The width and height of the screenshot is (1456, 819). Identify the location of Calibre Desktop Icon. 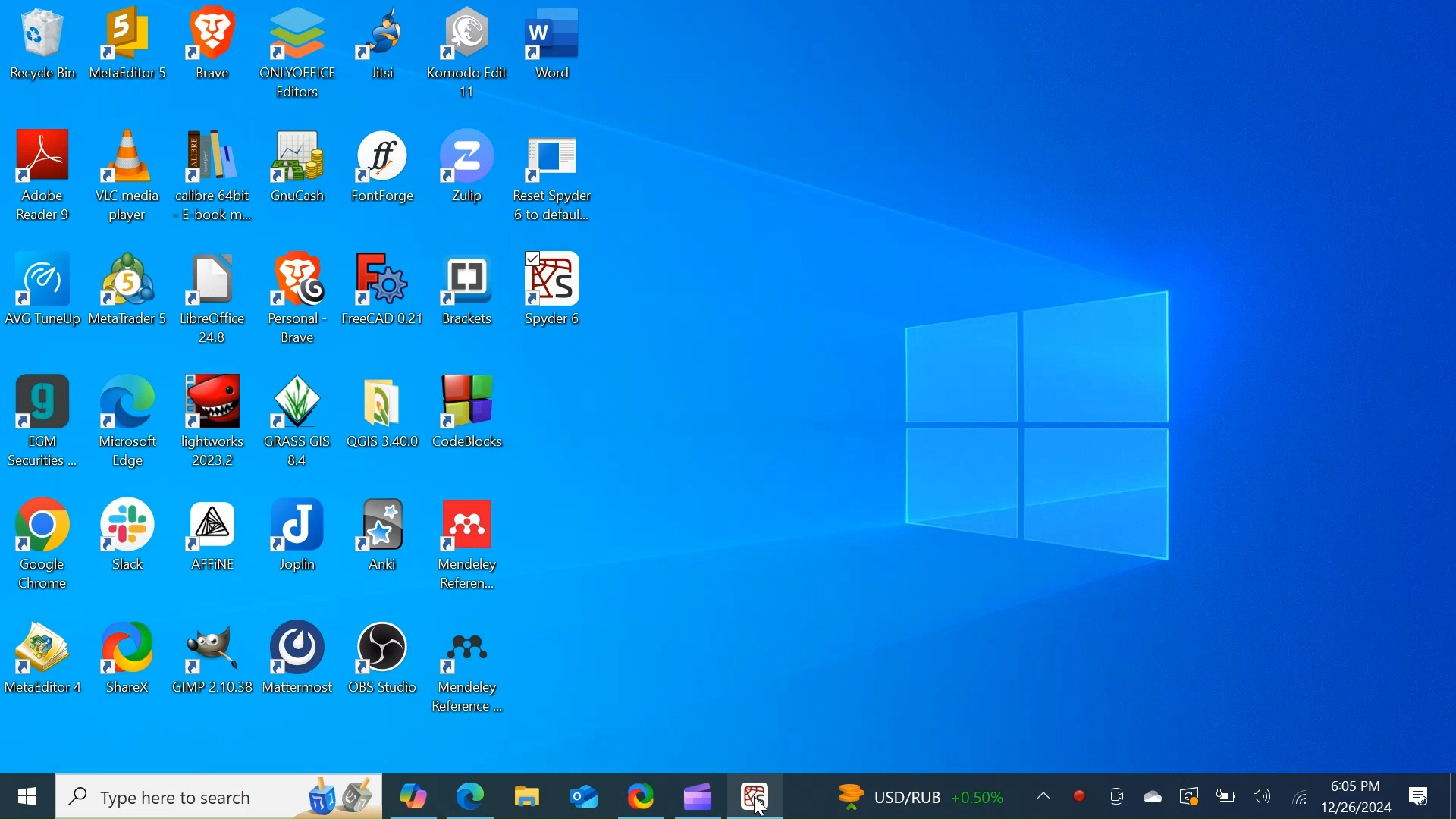
(215, 178).